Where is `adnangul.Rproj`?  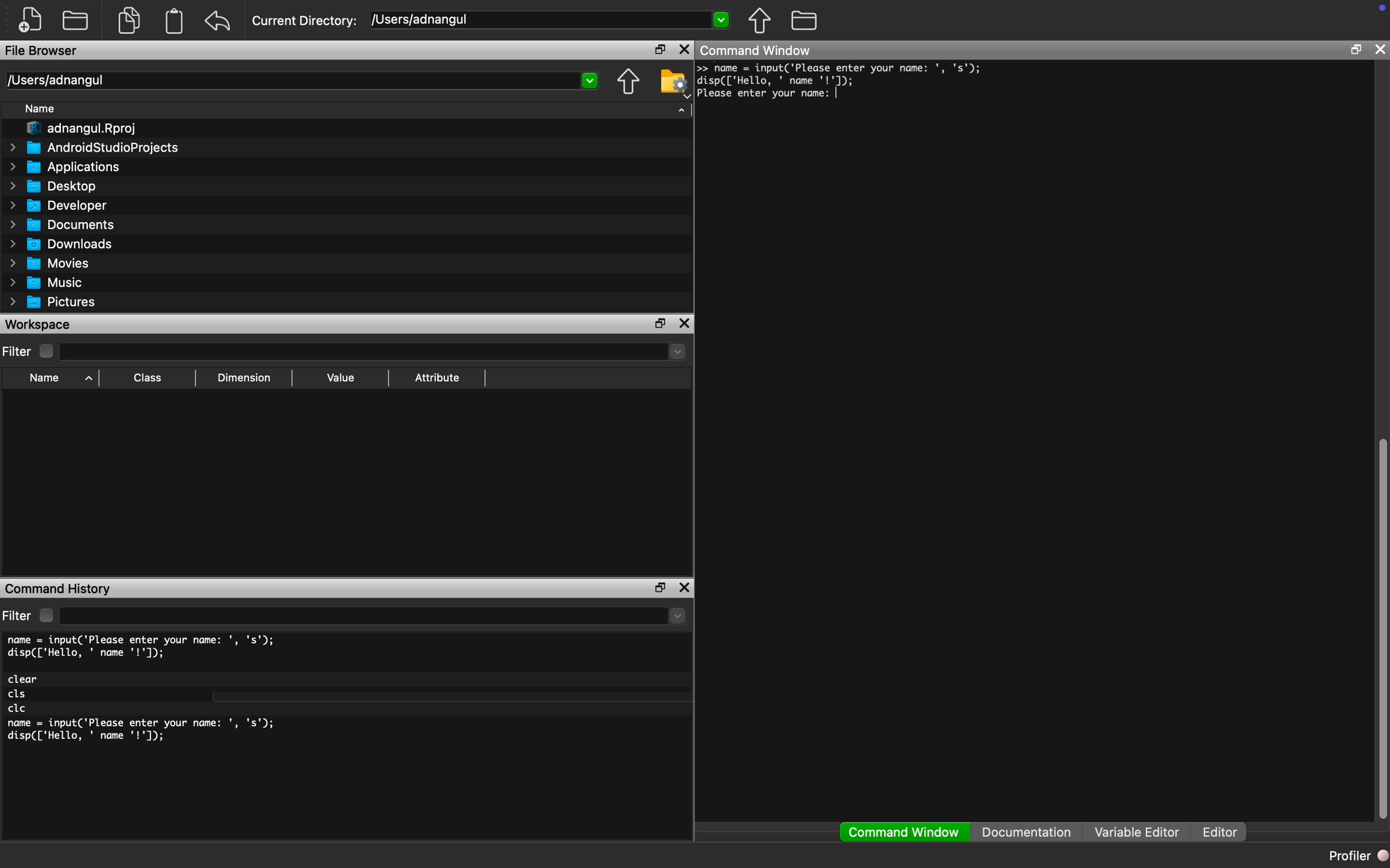 adnangul.Rproj is located at coordinates (83, 129).